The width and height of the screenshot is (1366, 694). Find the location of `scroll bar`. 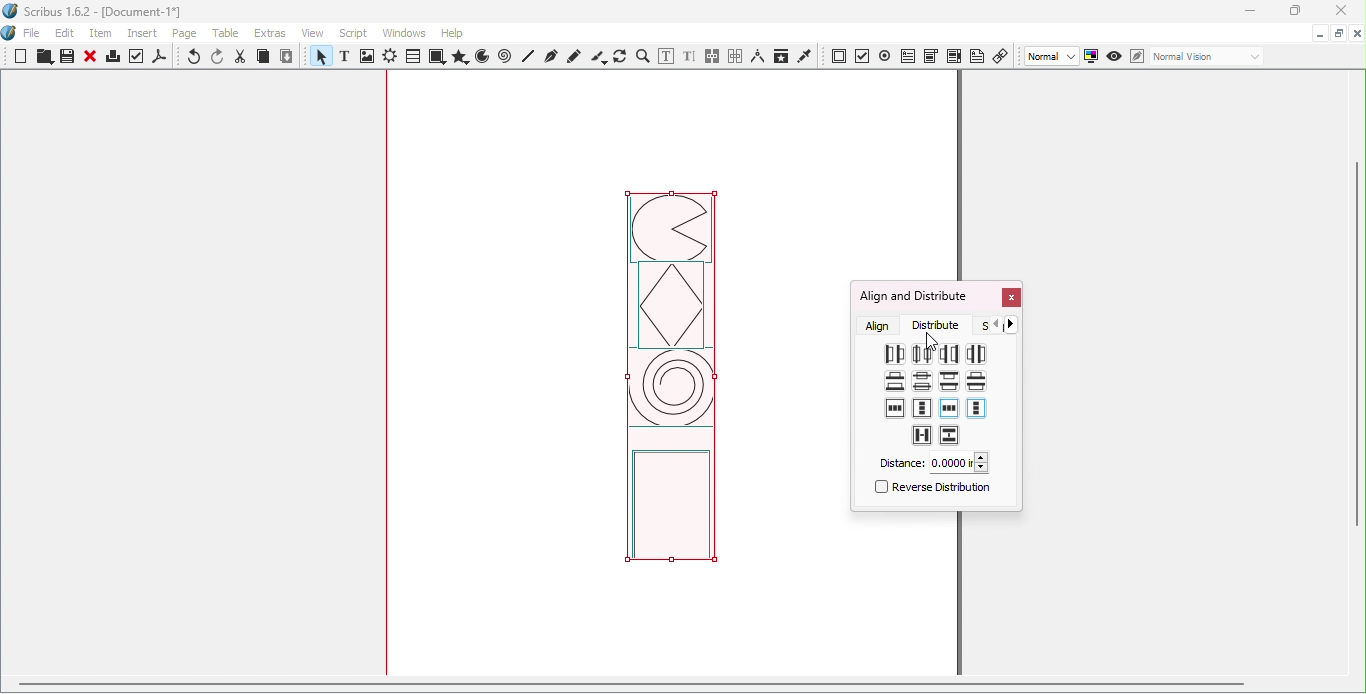

scroll bar is located at coordinates (631, 683).